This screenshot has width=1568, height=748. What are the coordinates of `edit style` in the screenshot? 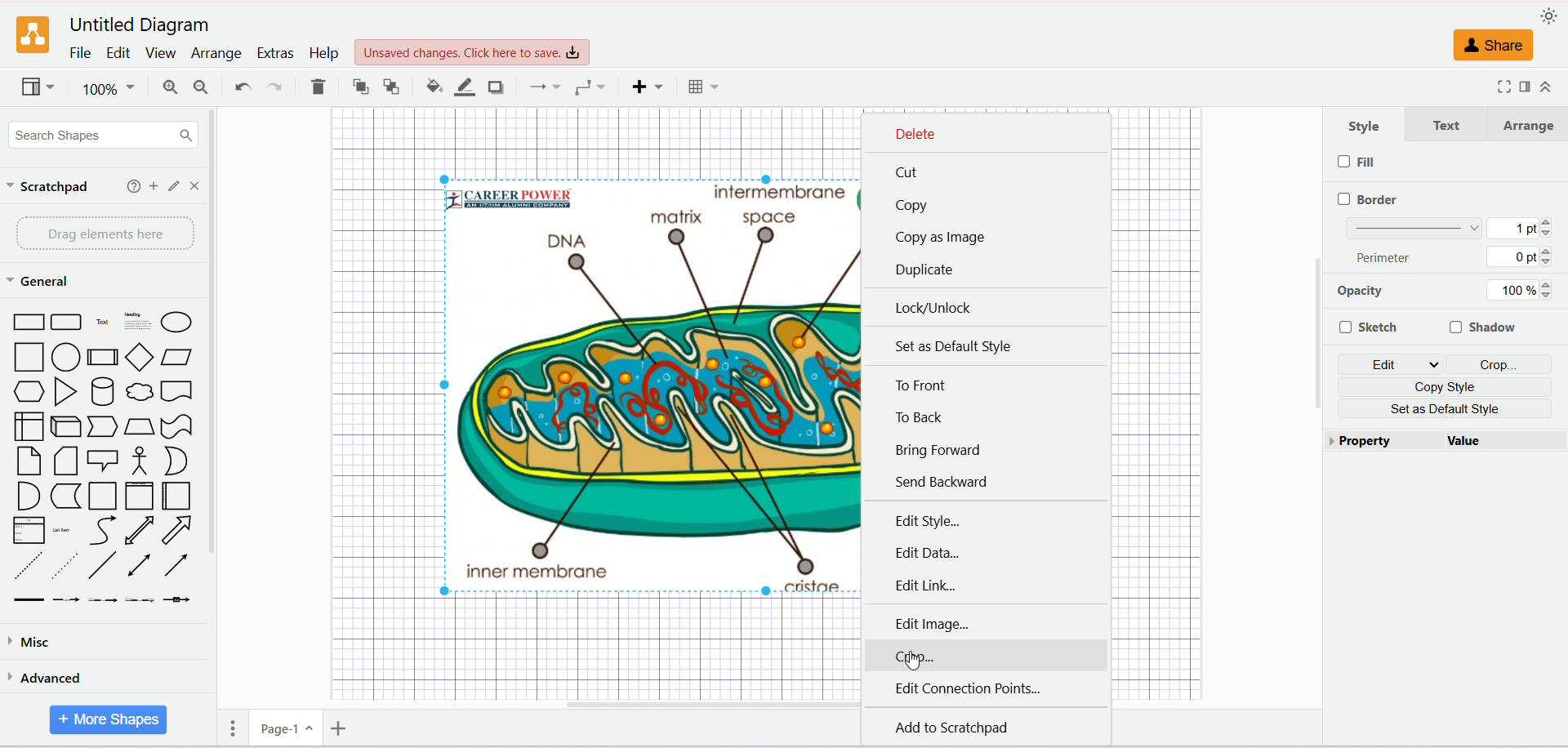 It's located at (929, 521).